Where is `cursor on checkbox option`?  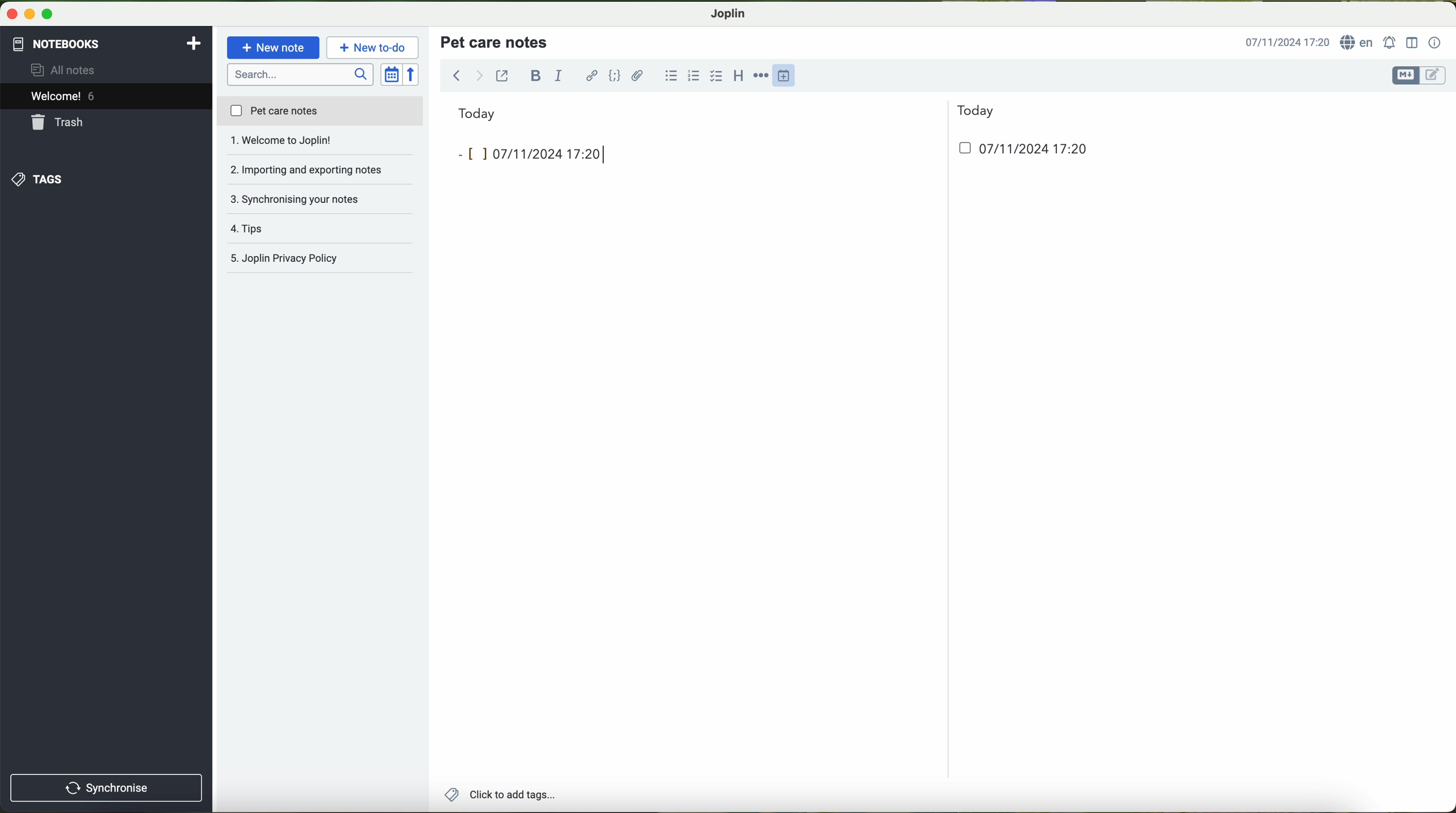 cursor on checkbox option is located at coordinates (718, 76).